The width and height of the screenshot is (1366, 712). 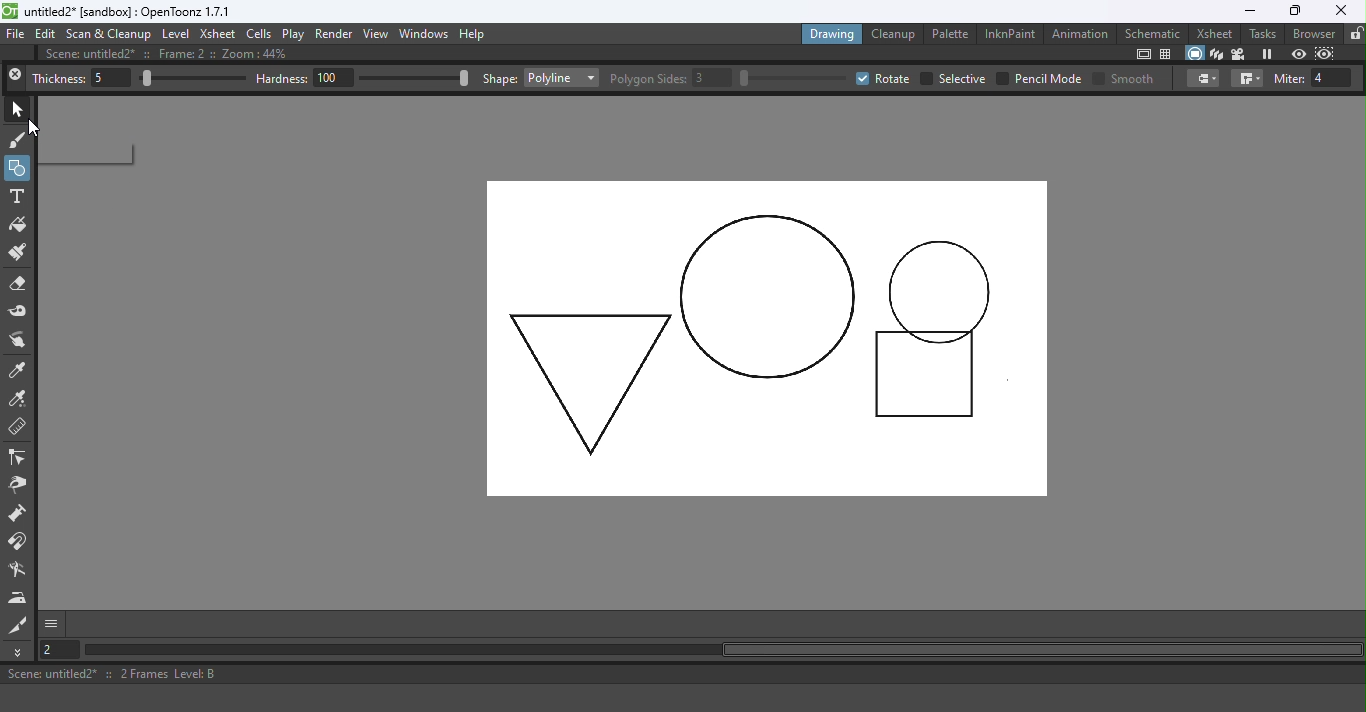 What do you see at coordinates (21, 340) in the screenshot?
I see `Finger tool` at bounding box center [21, 340].